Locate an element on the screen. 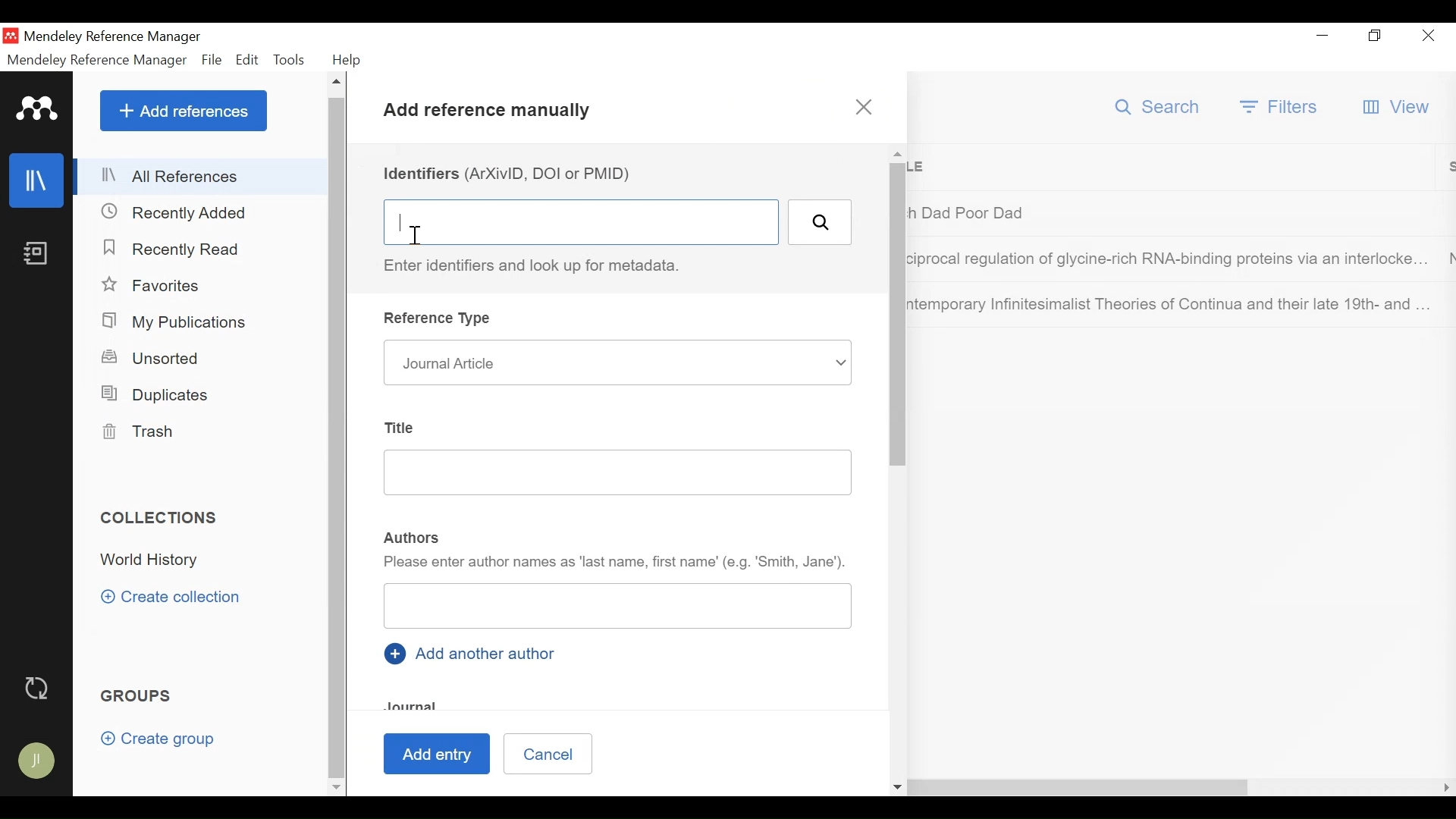 Image resolution: width=1456 pixels, height=819 pixels. Restore is located at coordinates (1373, 36).